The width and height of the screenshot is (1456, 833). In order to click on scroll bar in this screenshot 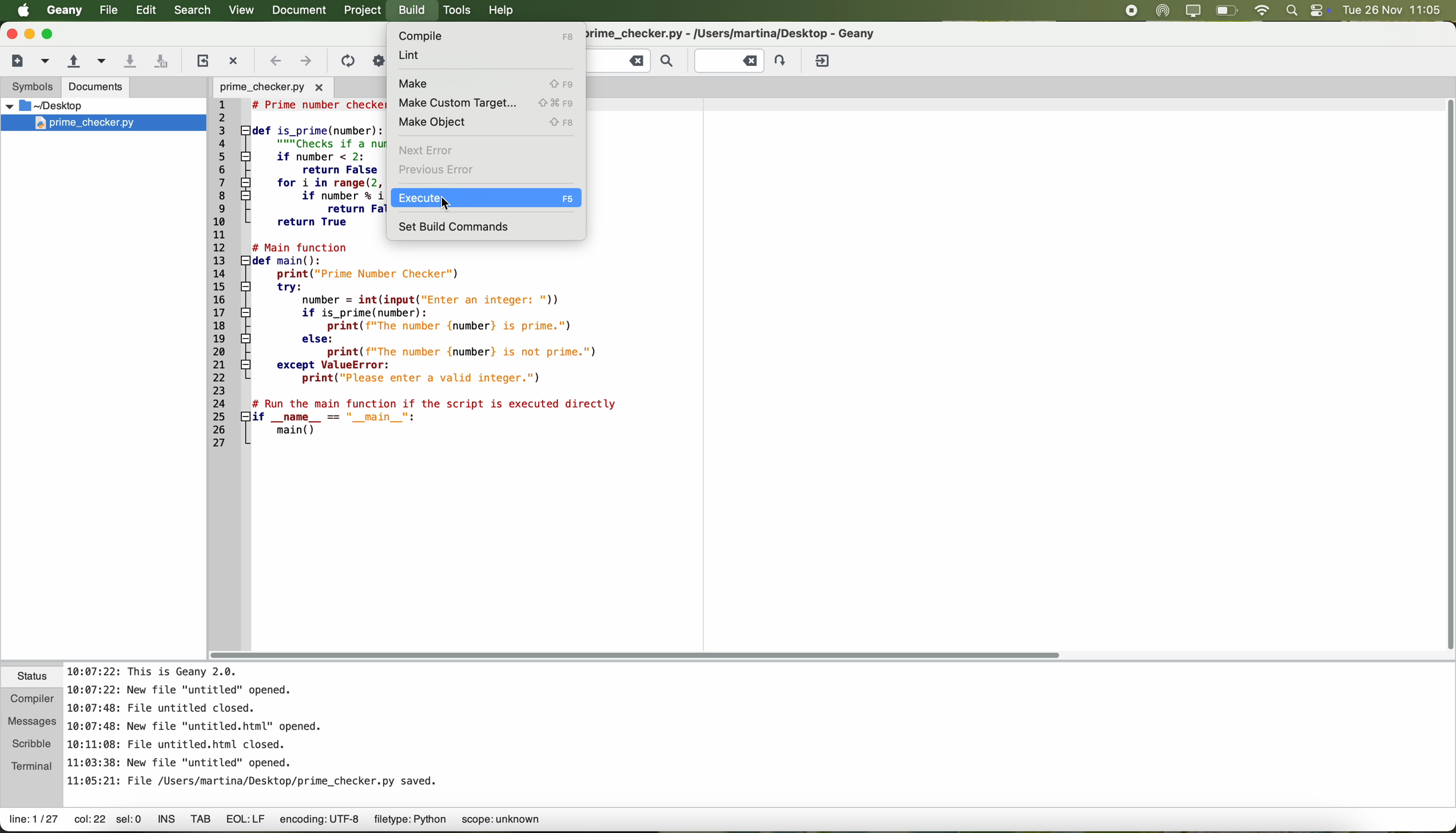, I will do `click(642, 654)`.